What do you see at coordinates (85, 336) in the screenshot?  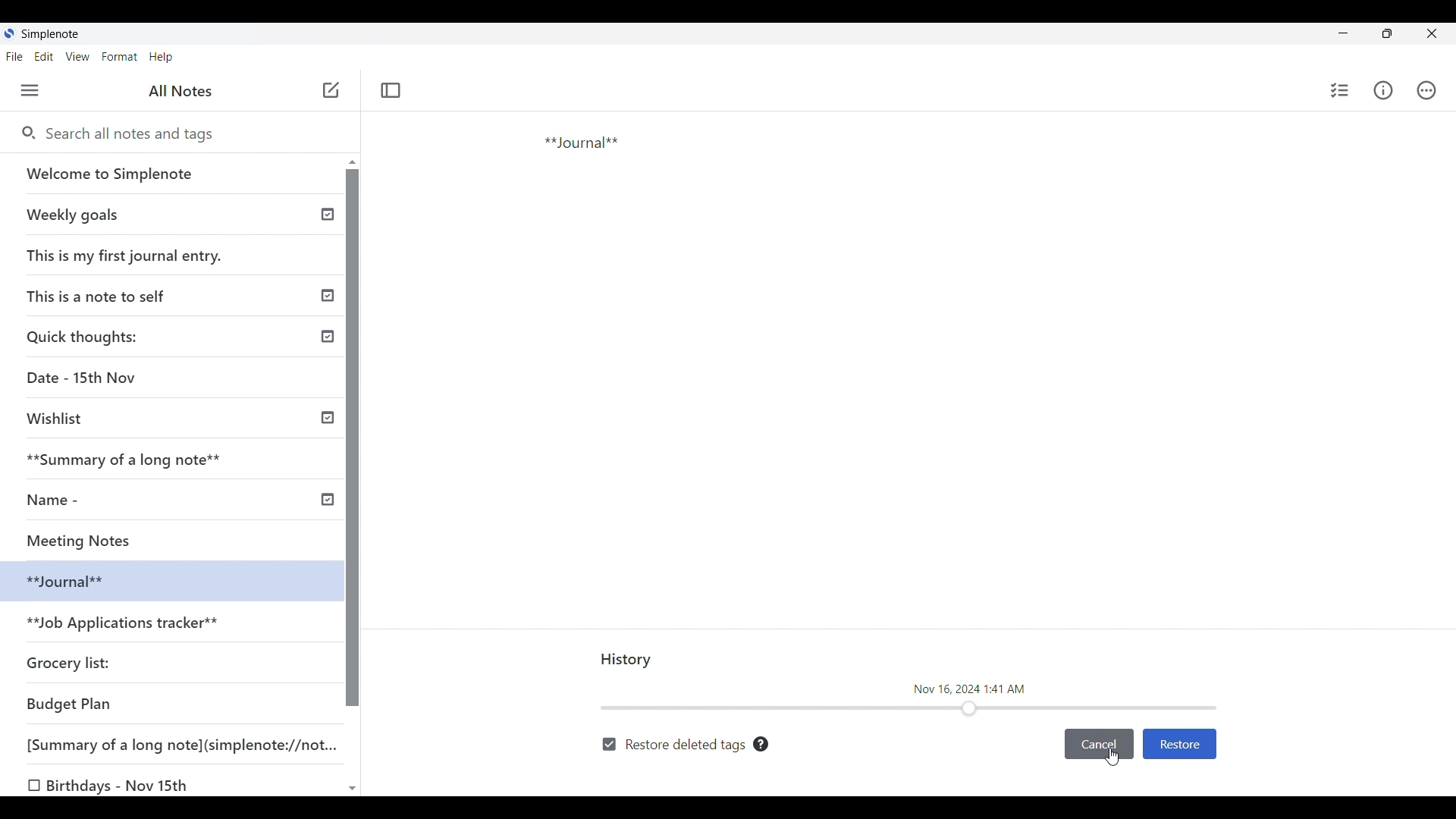 I see `Quick thoughts:` at bounding box center [85, 336].